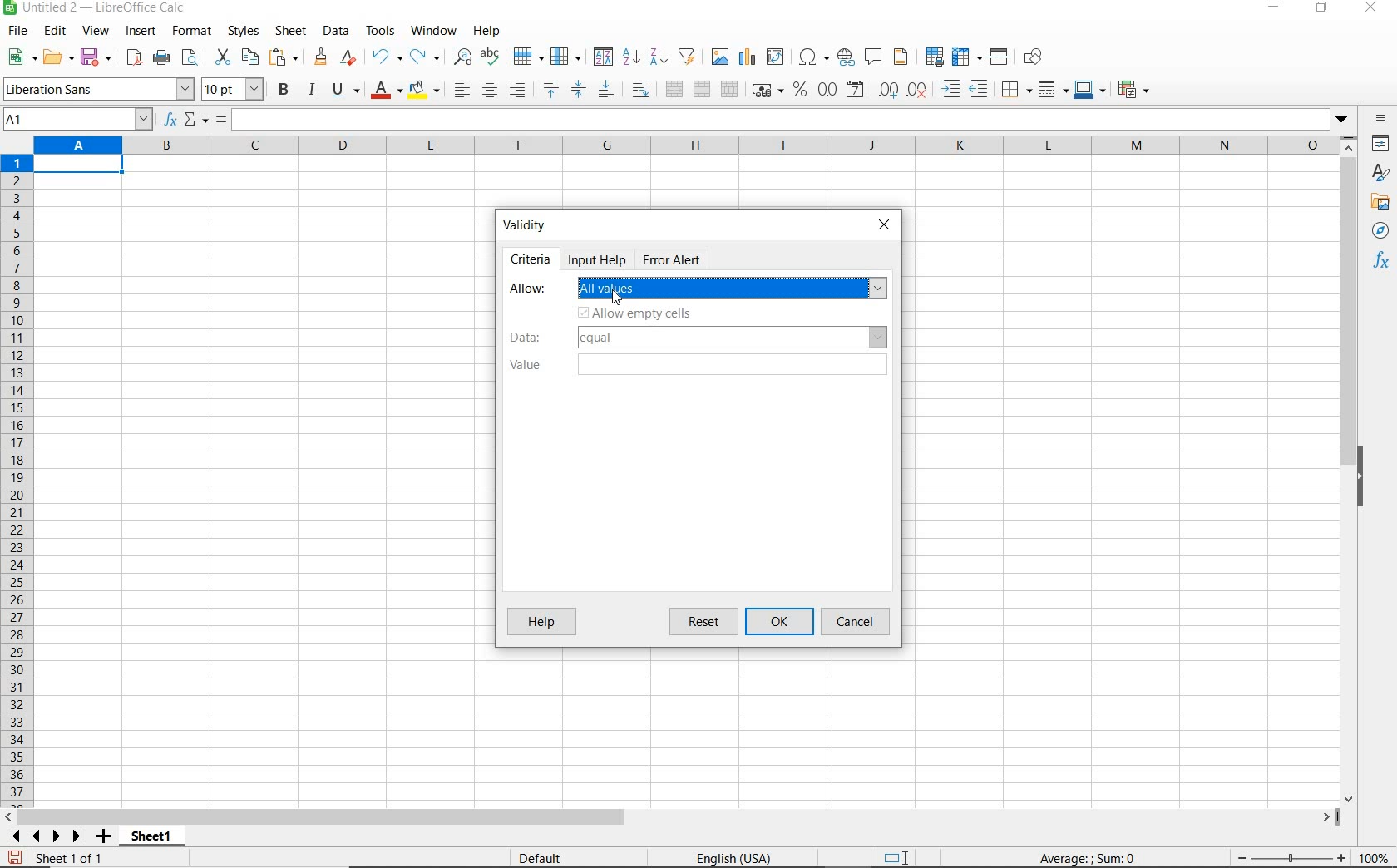  Describe the element at coordinates (490, 90) in the screenshot. I see `align center` at that location.